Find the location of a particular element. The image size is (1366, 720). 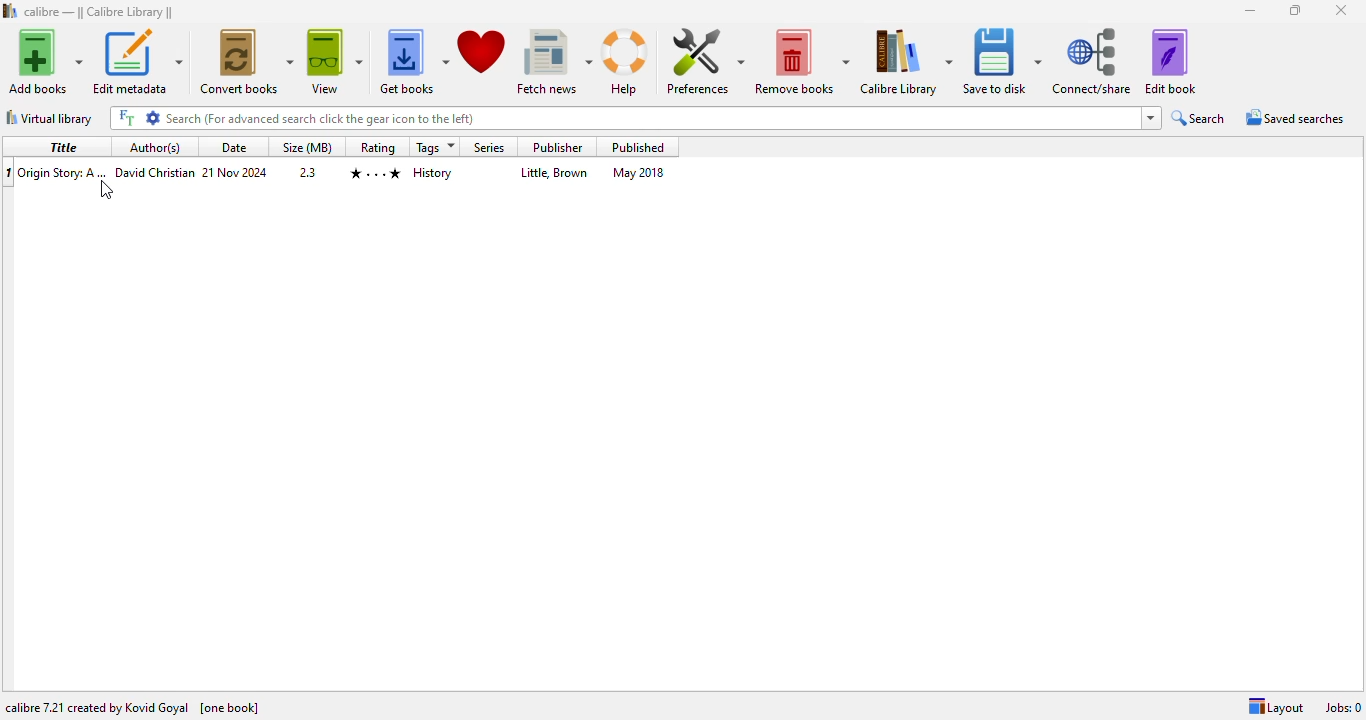

get books is located at coordinates (412, 62).